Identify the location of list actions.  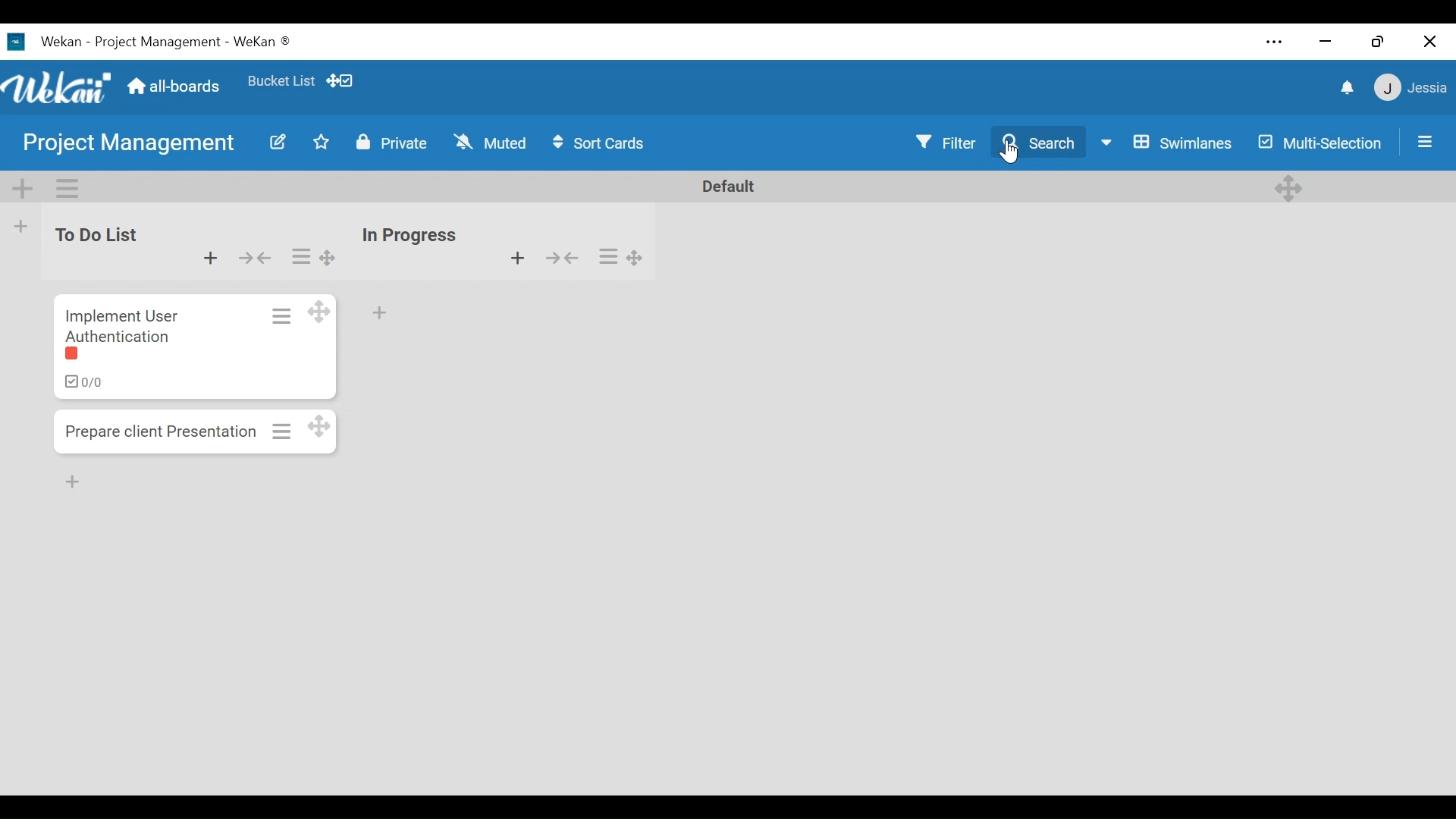
(606, 256).